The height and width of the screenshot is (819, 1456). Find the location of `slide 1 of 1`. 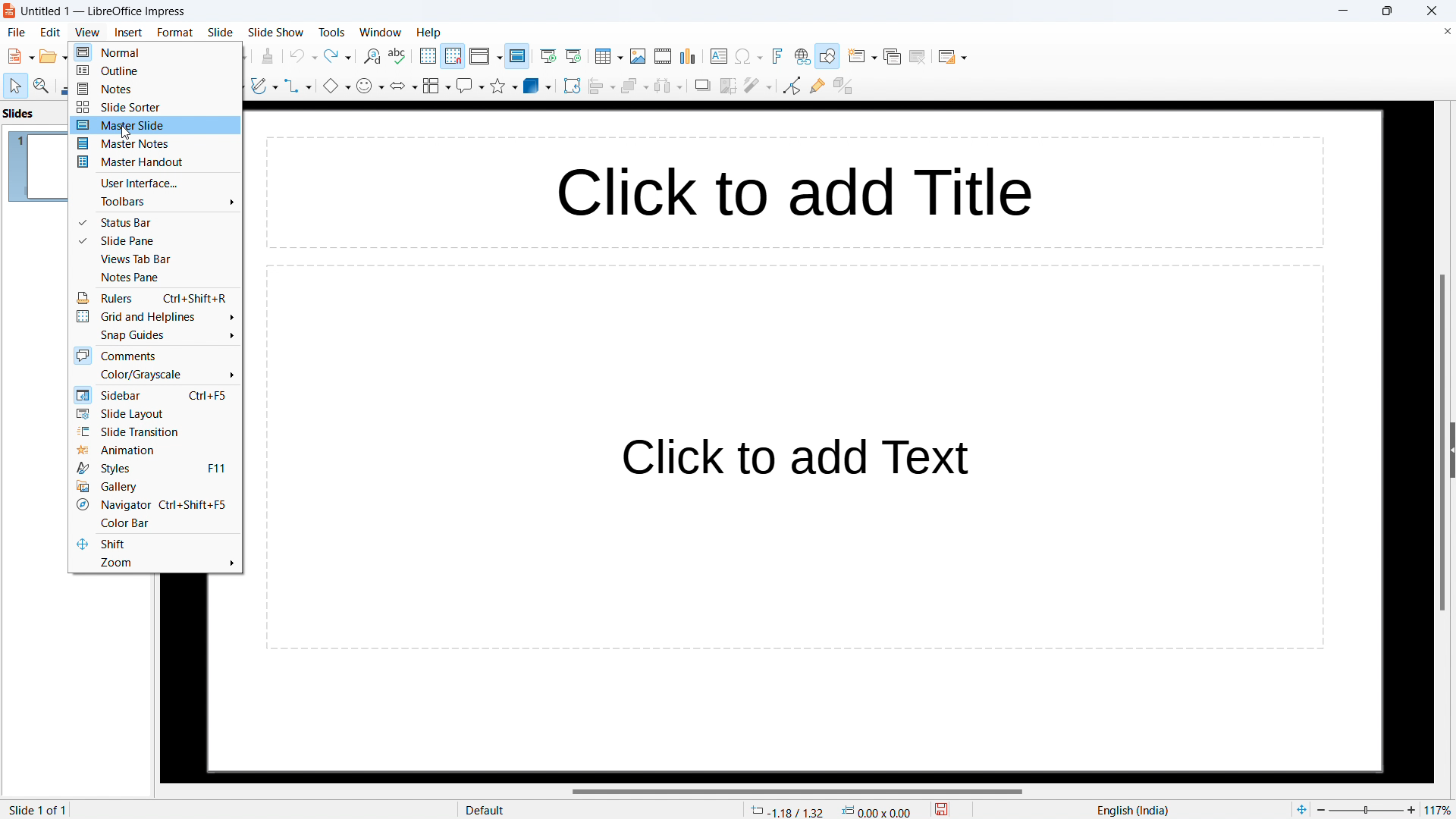

slide 1 of 1 is located at coordinates (37, 810).